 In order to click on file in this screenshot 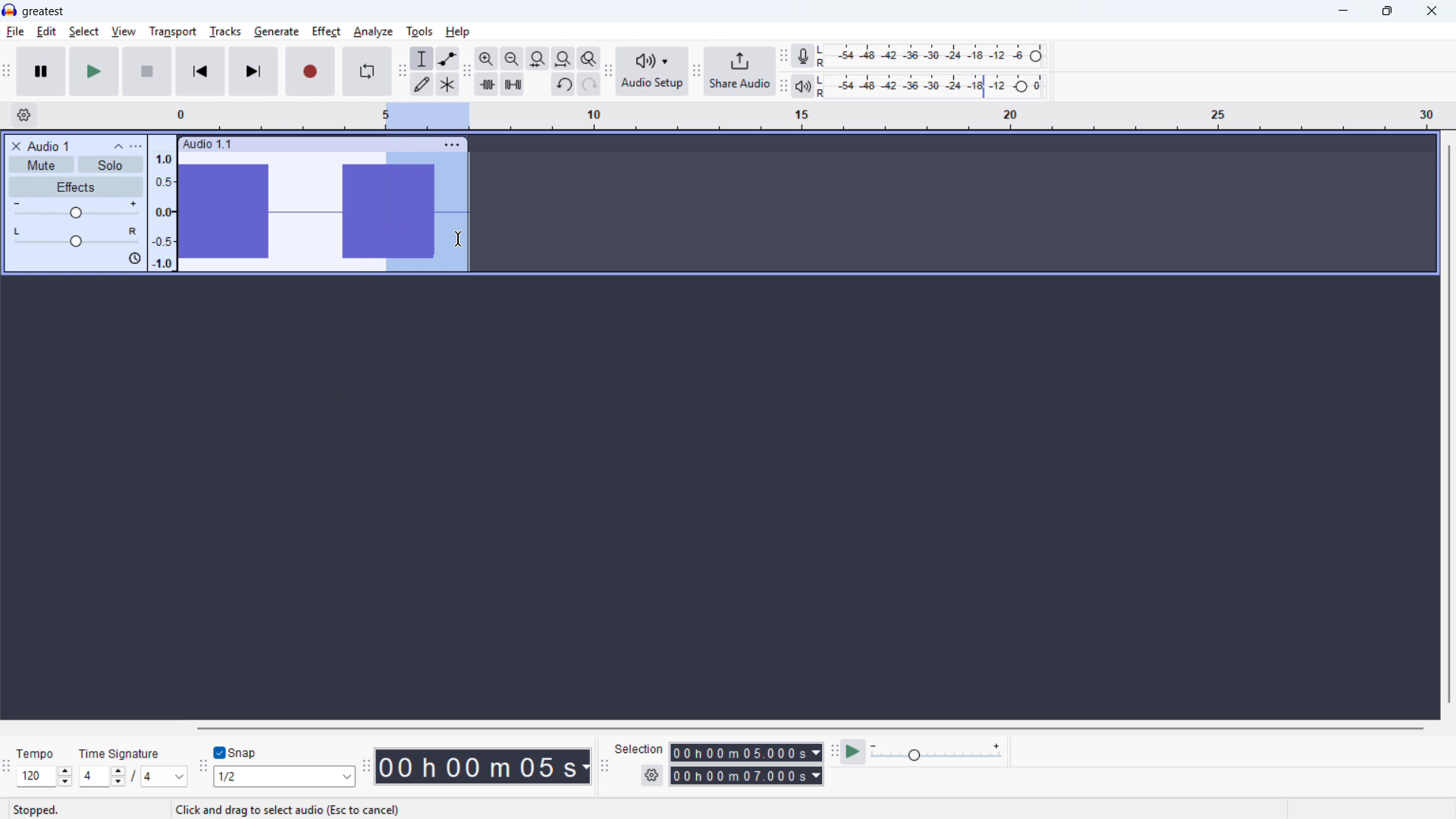, I will do `click(15, 33)`.